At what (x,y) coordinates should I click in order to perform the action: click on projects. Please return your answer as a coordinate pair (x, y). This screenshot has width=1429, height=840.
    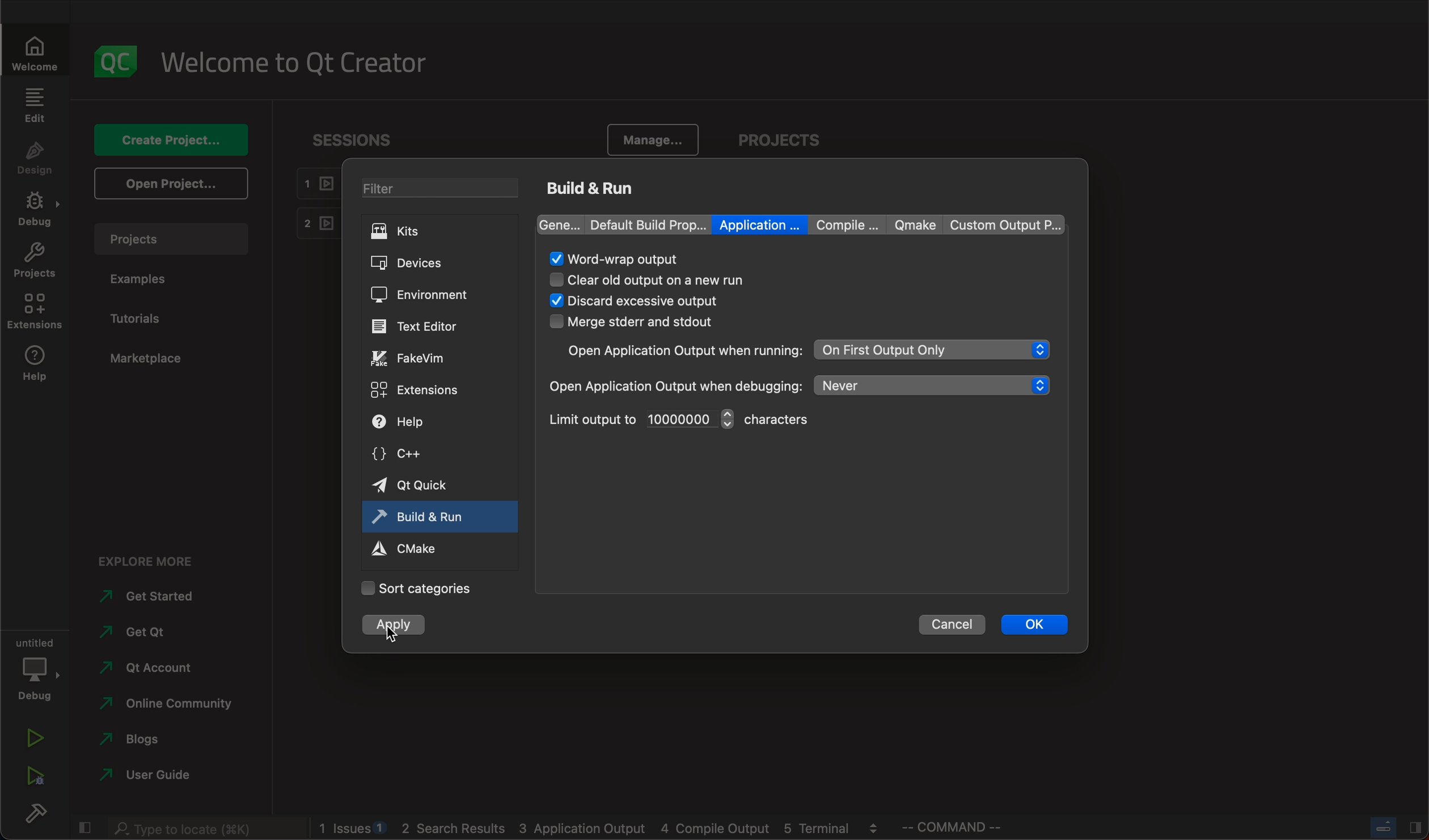
    Looking at the image, I should click on (34, 262).